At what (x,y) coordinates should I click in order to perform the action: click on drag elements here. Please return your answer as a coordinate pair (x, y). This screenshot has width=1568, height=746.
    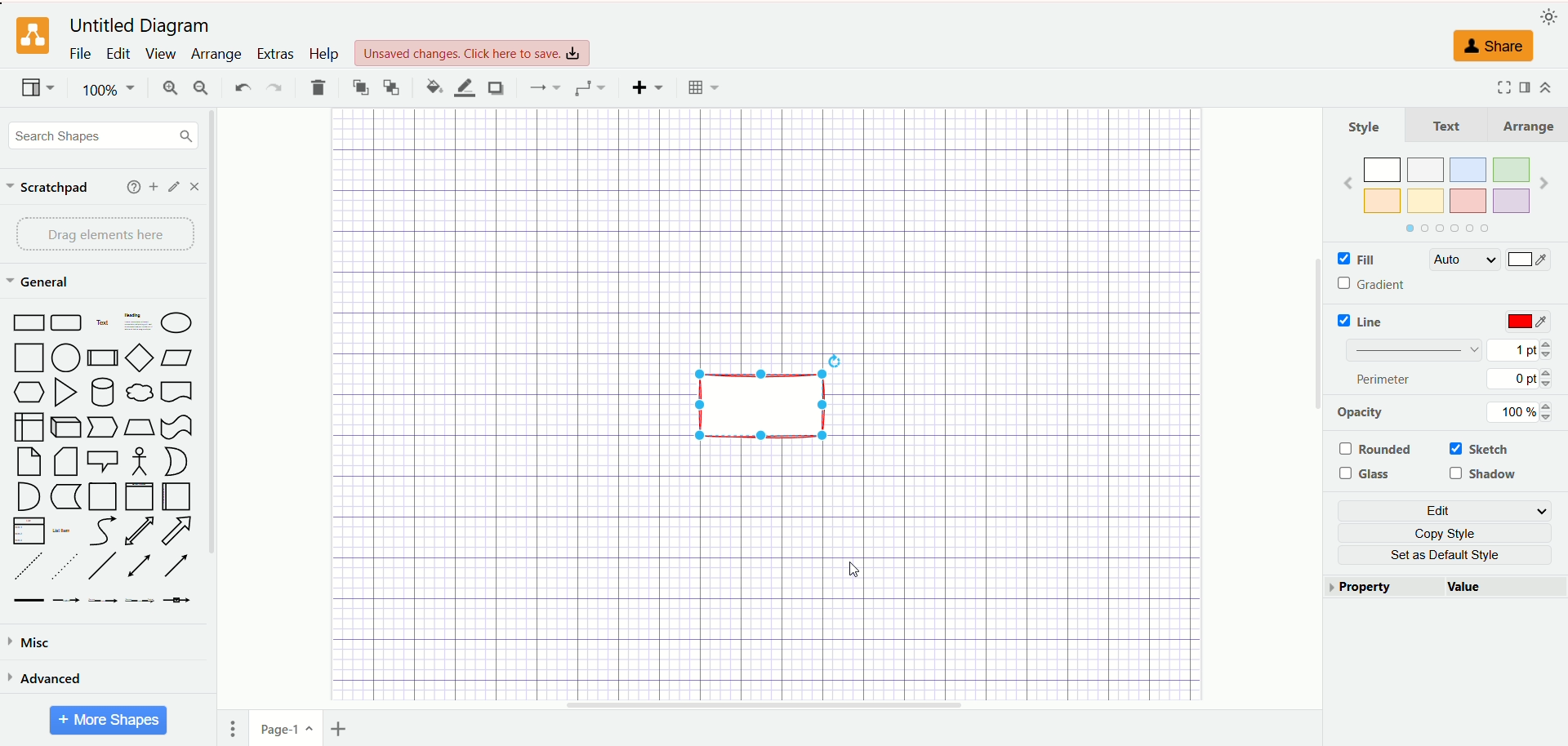
    Looking at the image, I should click on (105, 235).